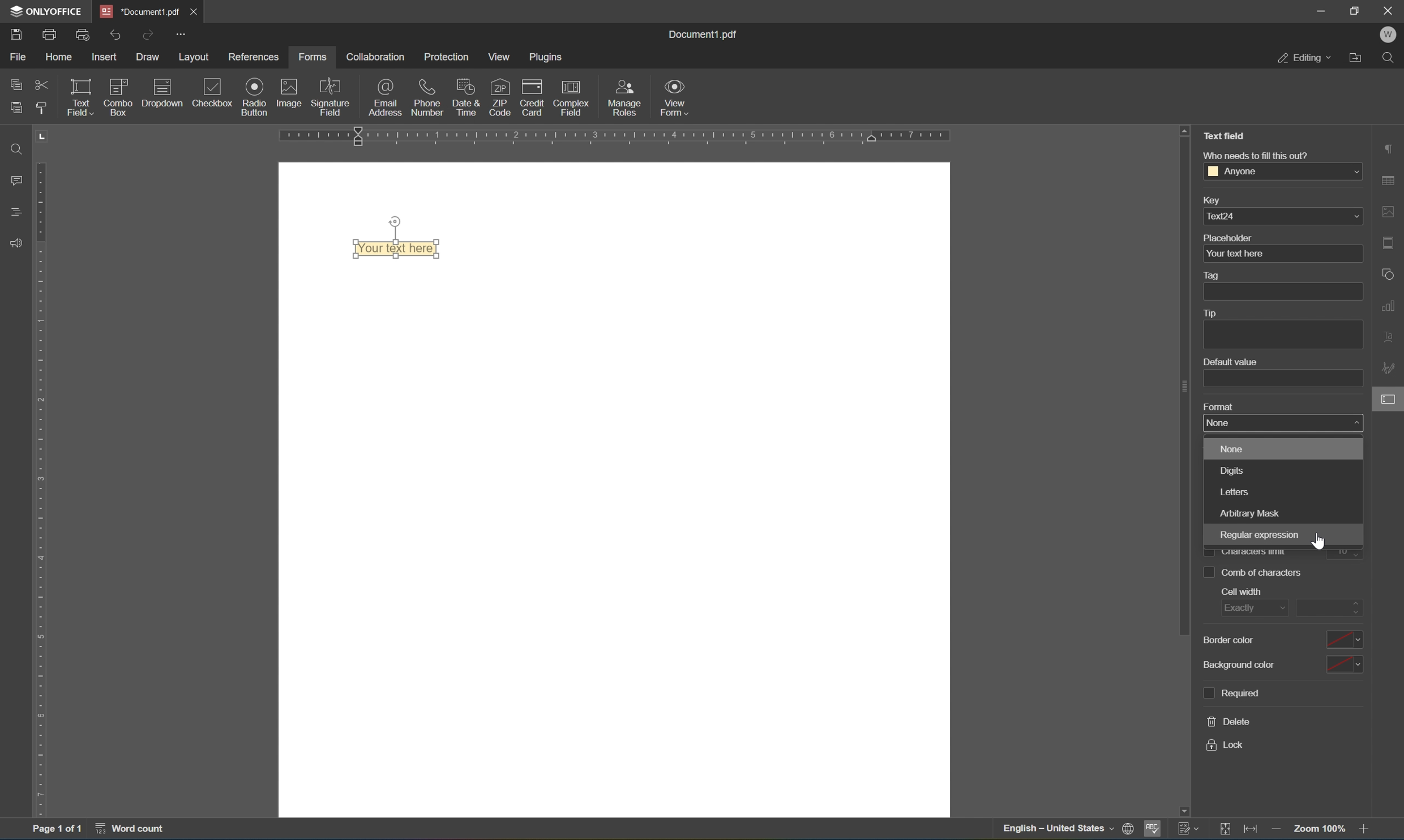  What do you see at coordinates (396, 248) in the screenshot?
I see `type your text here` at bounding box center [396, 248].